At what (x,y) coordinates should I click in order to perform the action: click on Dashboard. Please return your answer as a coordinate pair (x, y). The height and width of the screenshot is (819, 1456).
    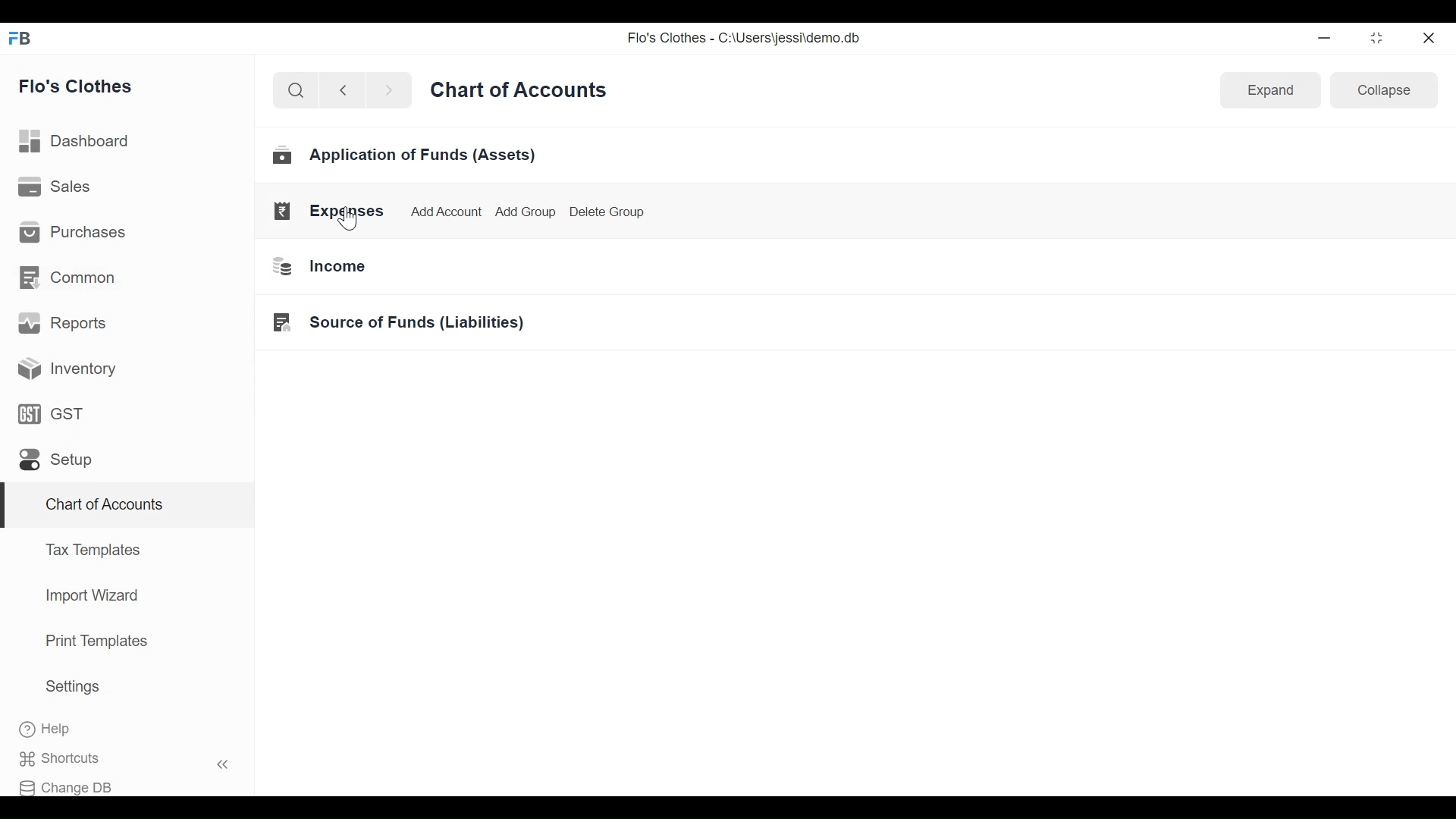
    Looking at the image, I should click on (81, 141).